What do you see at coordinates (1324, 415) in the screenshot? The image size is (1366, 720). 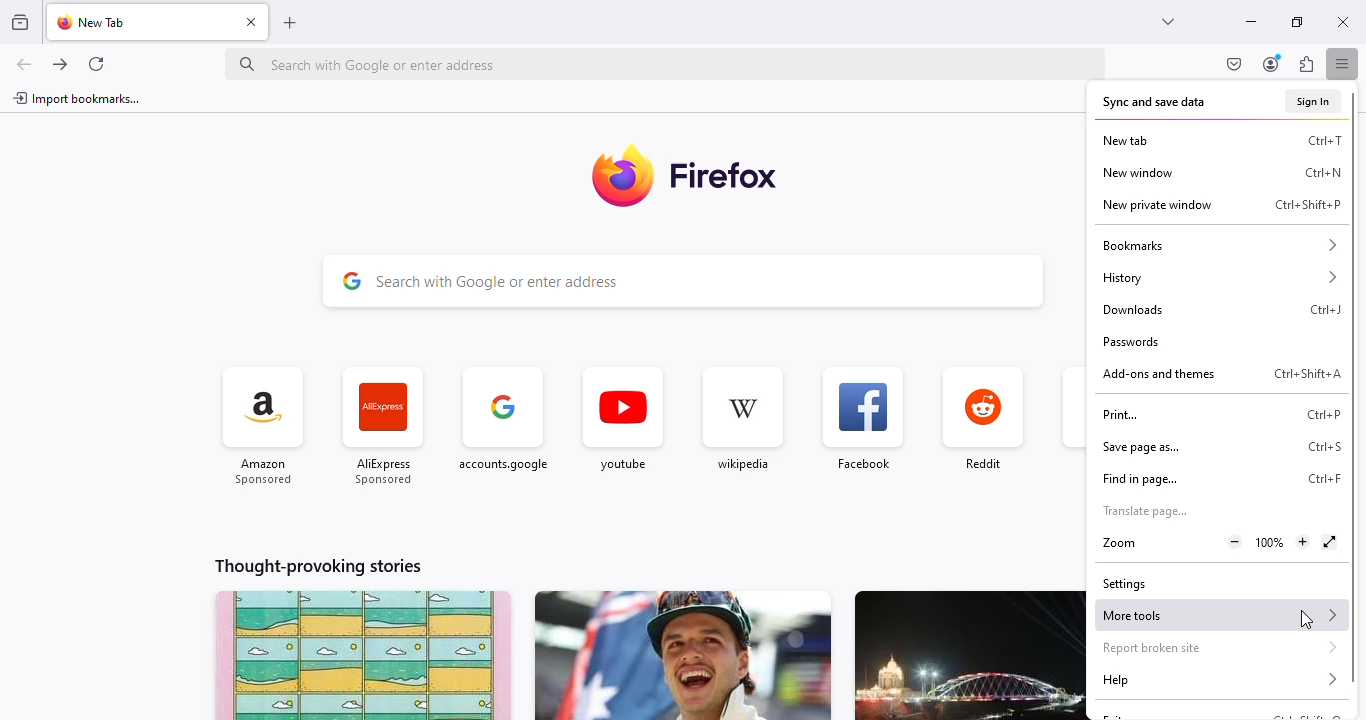 I see `shortcut for print` at bounding box center [1324, 415].